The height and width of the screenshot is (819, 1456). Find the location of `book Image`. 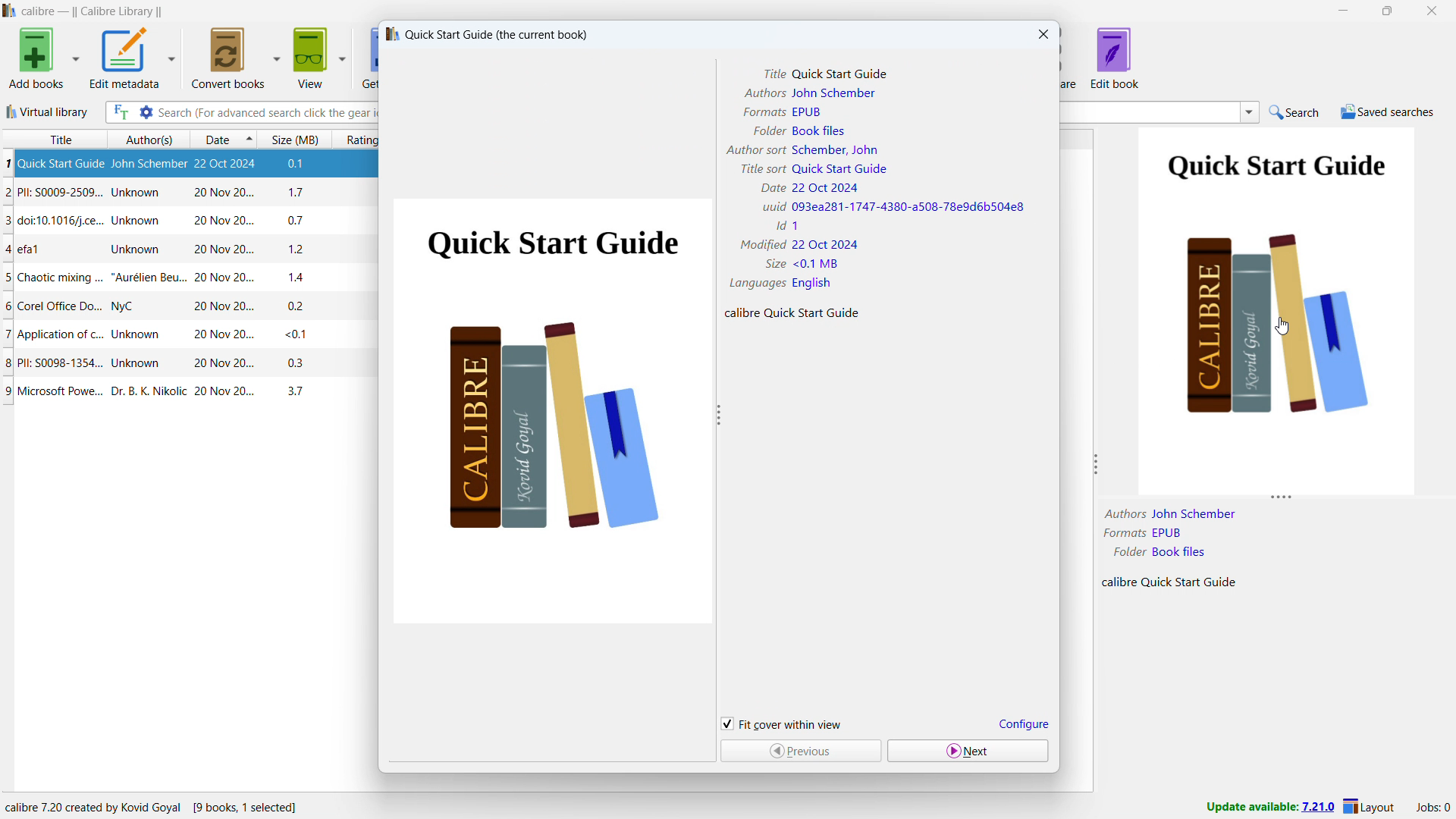

book Image is located at coordinates (550, 412).